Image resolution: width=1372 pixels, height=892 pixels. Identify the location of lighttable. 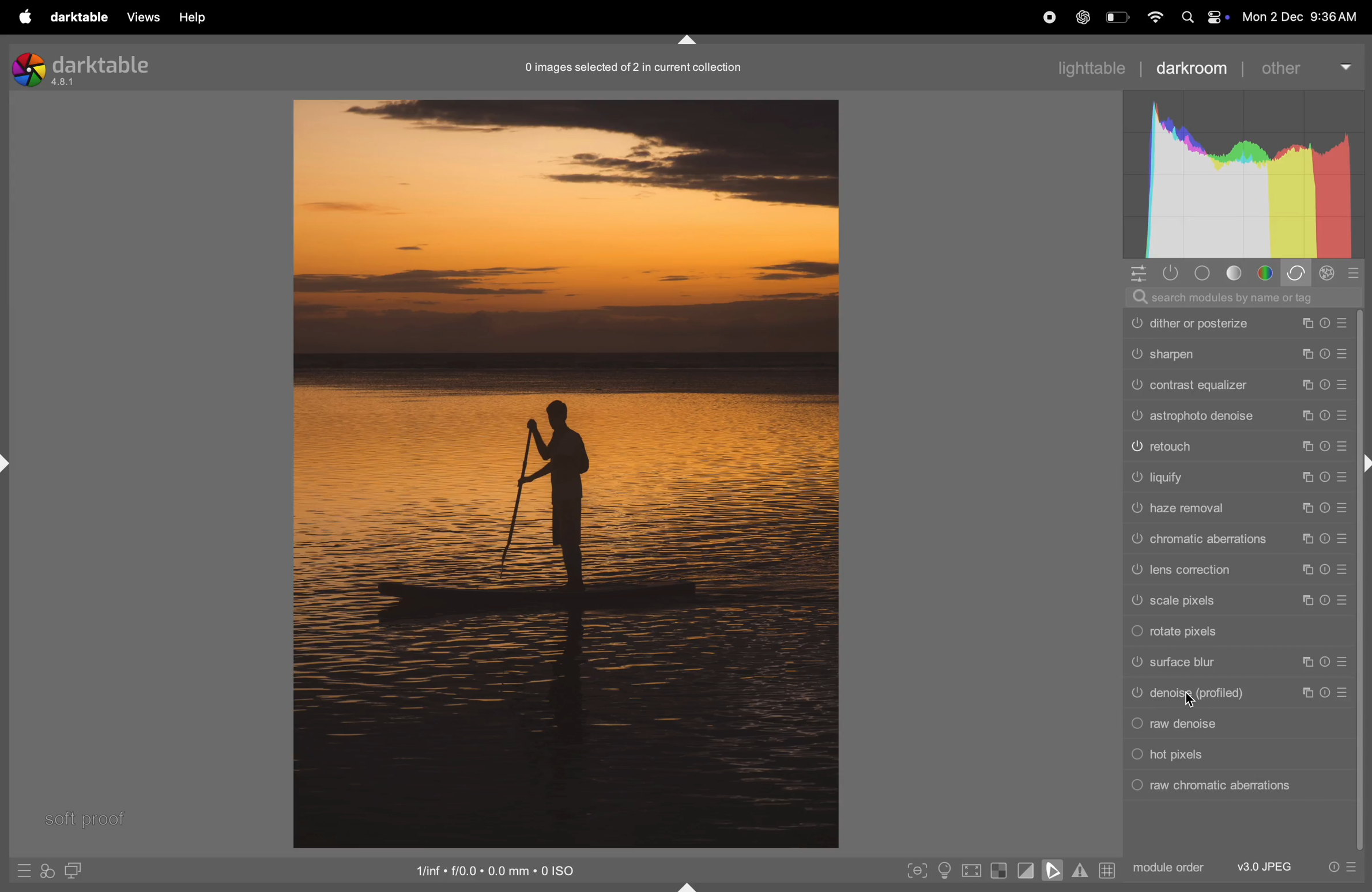
(1091, 67).